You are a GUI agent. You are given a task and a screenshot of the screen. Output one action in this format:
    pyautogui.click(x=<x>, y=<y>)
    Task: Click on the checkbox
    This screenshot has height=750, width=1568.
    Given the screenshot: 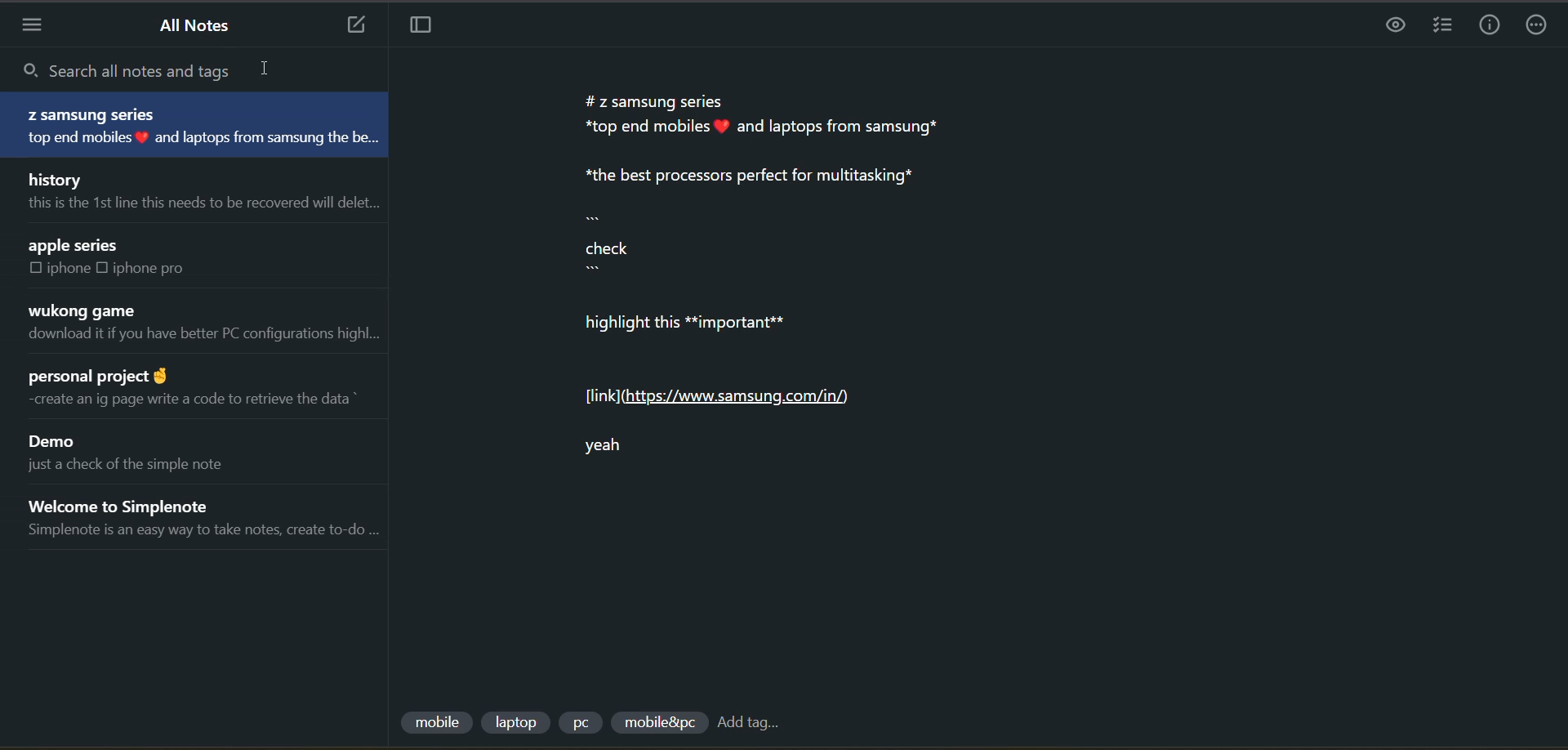 What is the action you would take?
    pyautogui.click(x=33, y=268)
    